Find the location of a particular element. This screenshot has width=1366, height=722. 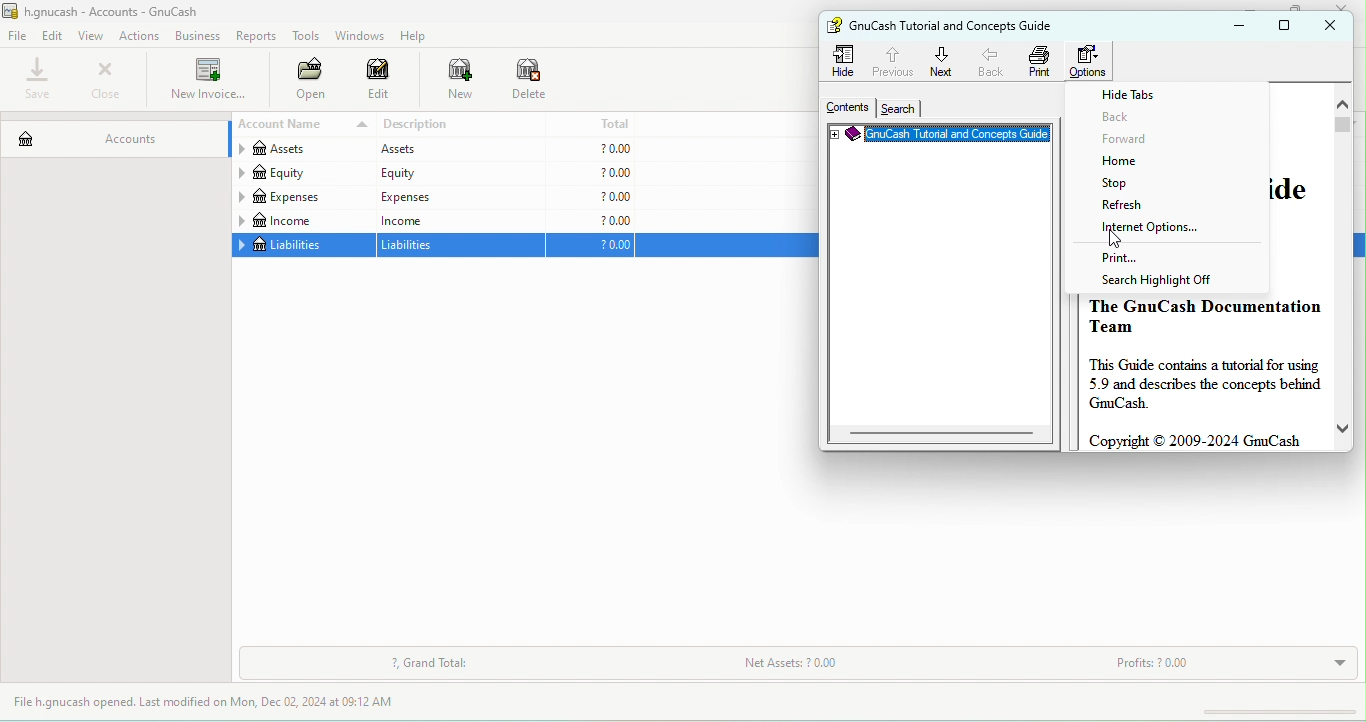

new invoice is located at coordinates (206, 81).